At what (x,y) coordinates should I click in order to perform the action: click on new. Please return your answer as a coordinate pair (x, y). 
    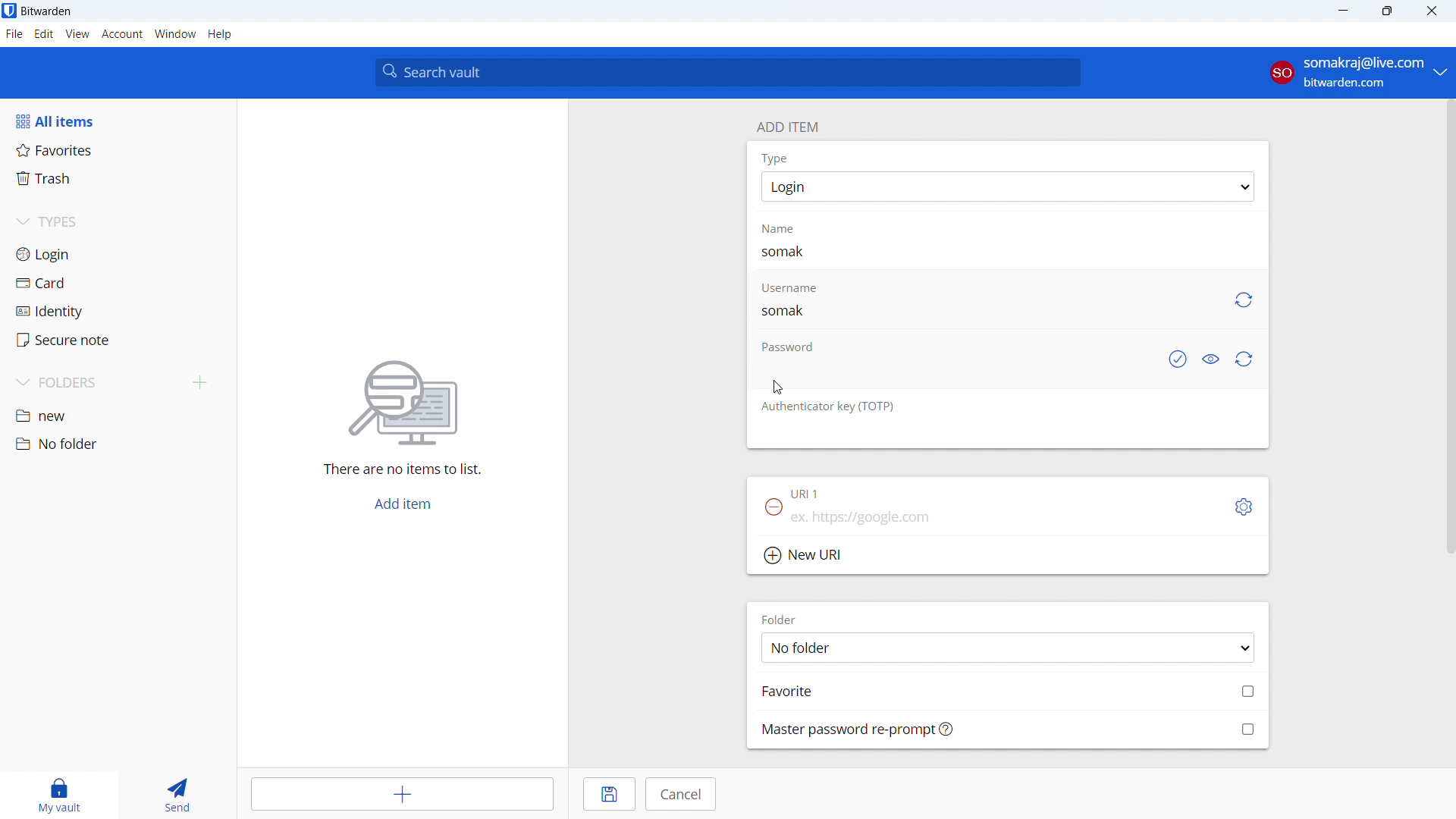
    Looking at the image, I should click on (118, 417).